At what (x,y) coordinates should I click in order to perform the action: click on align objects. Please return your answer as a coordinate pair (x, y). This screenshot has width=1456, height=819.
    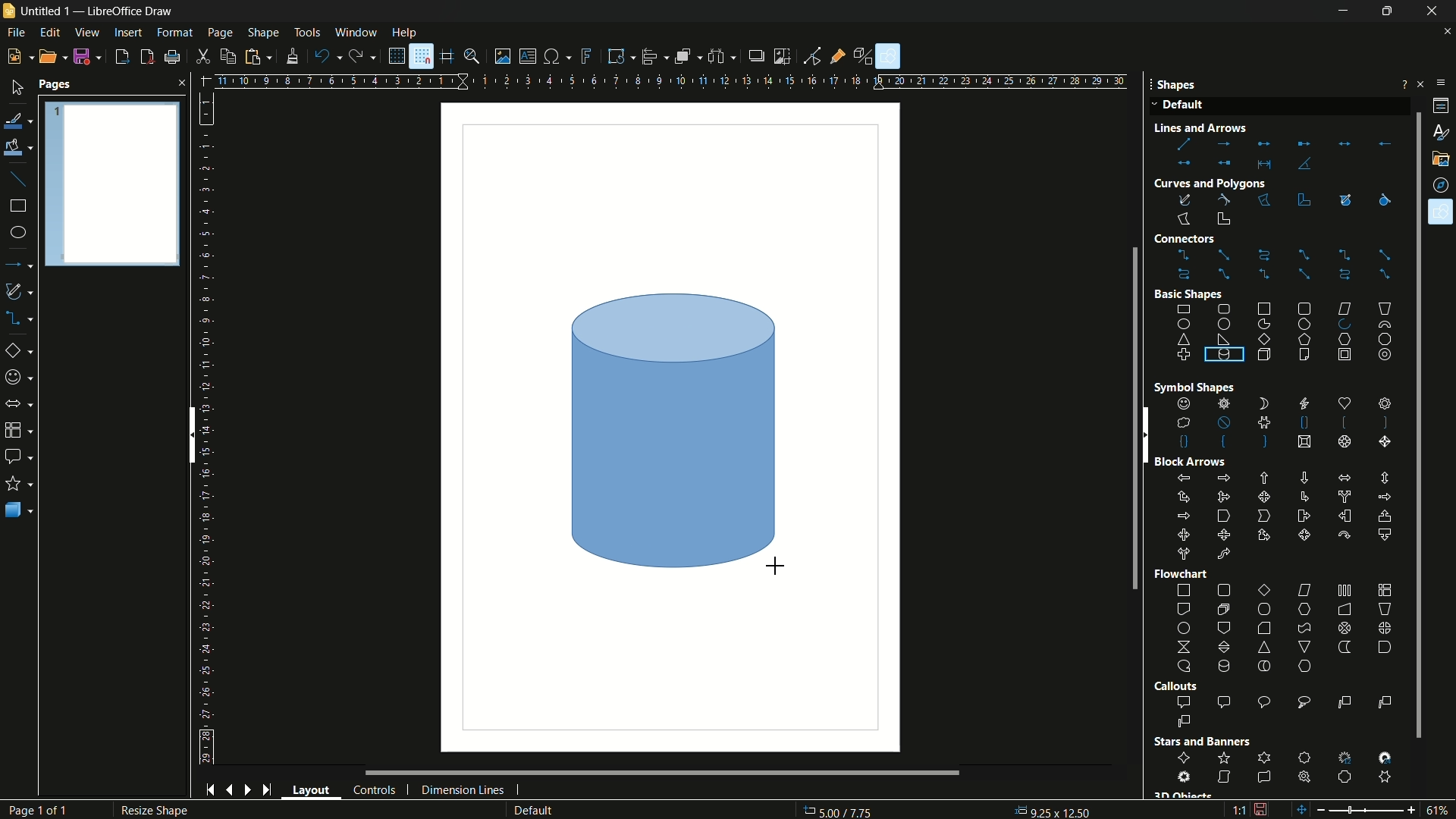
    Looking at the image, I should click on (655, 55).